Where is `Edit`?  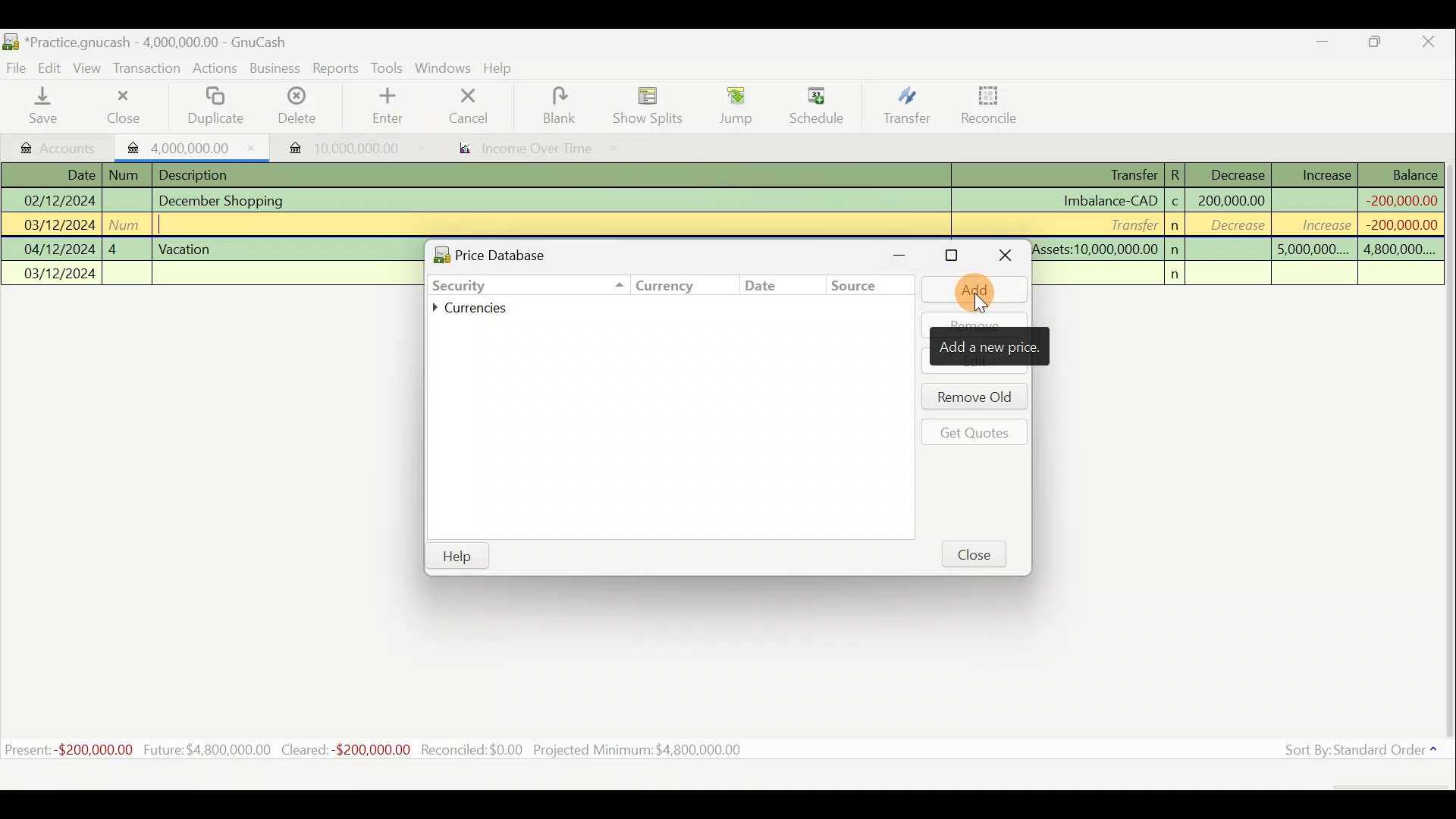
Edit is located at coordinates (52, 67).